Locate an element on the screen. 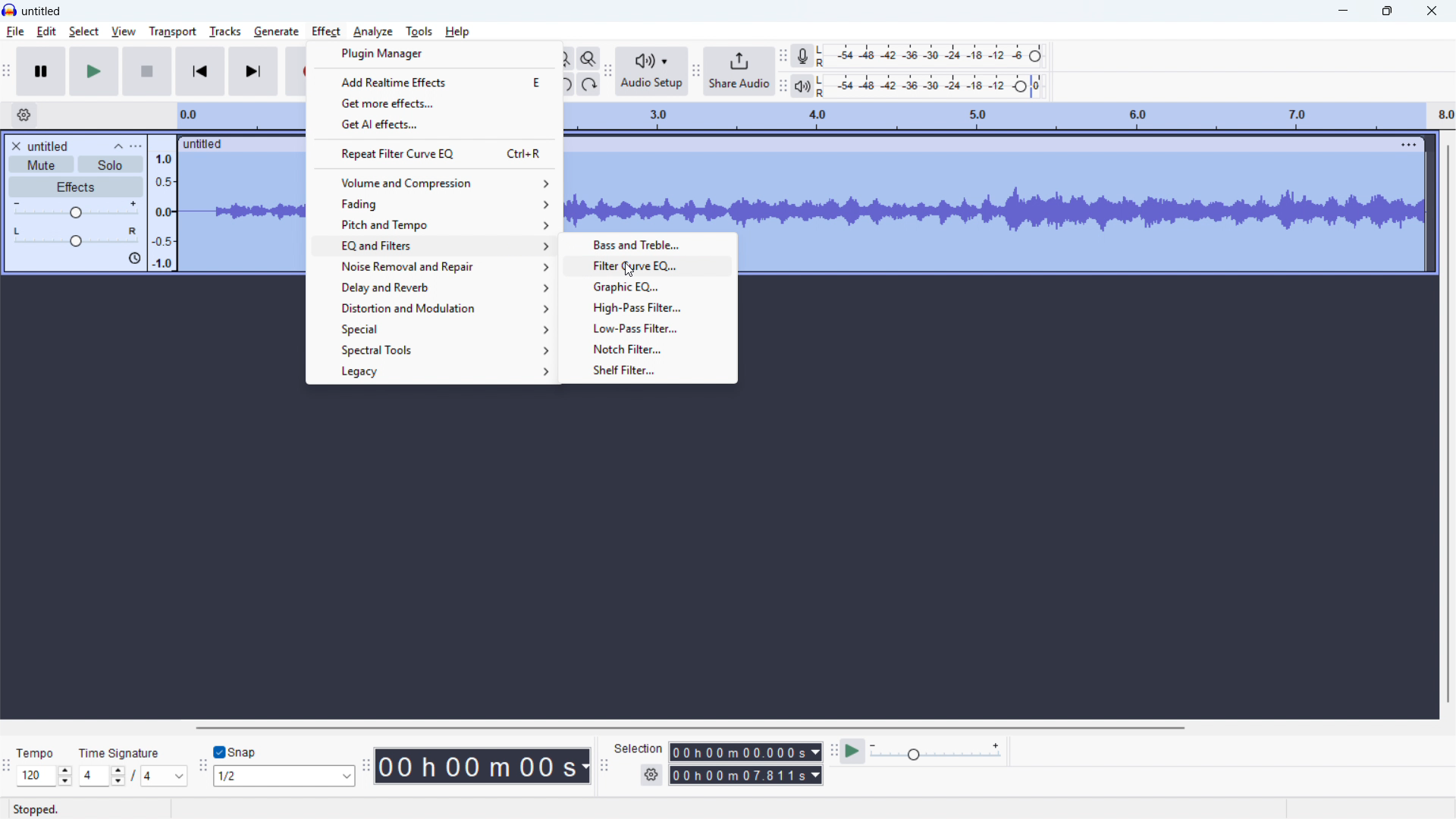 This screenshot has height=819, width=1456. sync lock is located at coordinates (133, 259).